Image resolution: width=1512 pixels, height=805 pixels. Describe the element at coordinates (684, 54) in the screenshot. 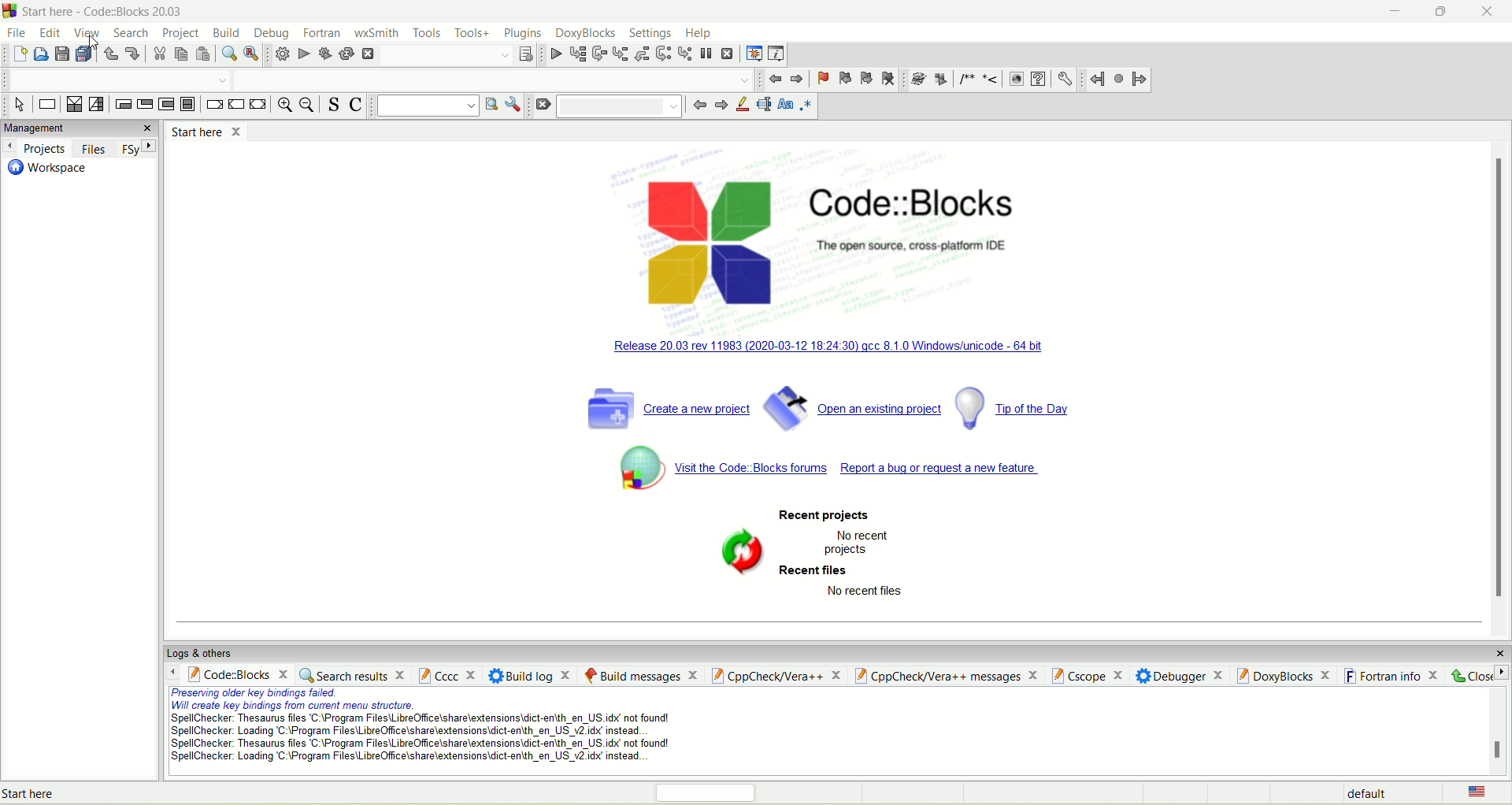

I see `step into instruction` at that location.